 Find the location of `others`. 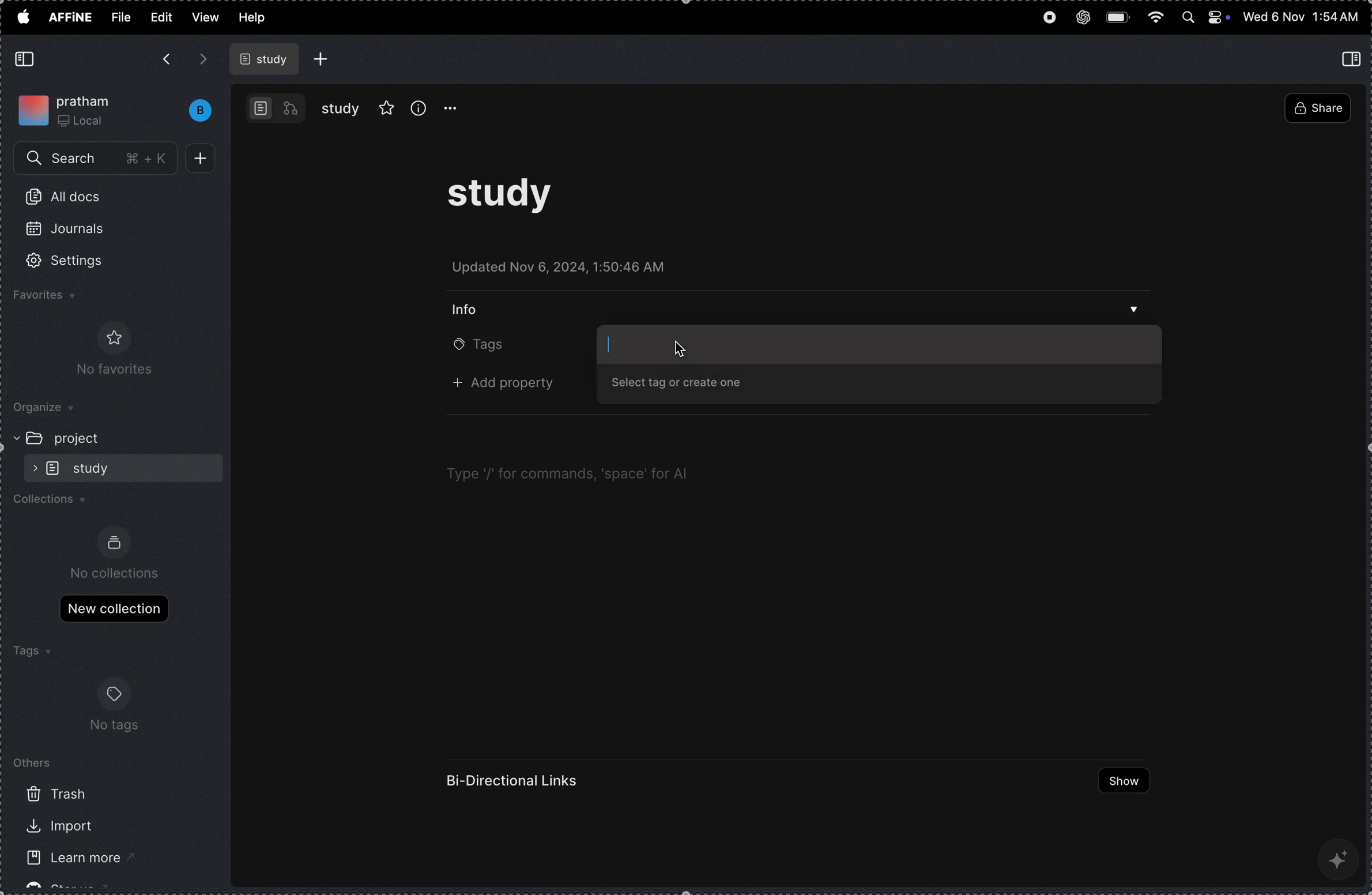

others is located at coordinates (35, 762).